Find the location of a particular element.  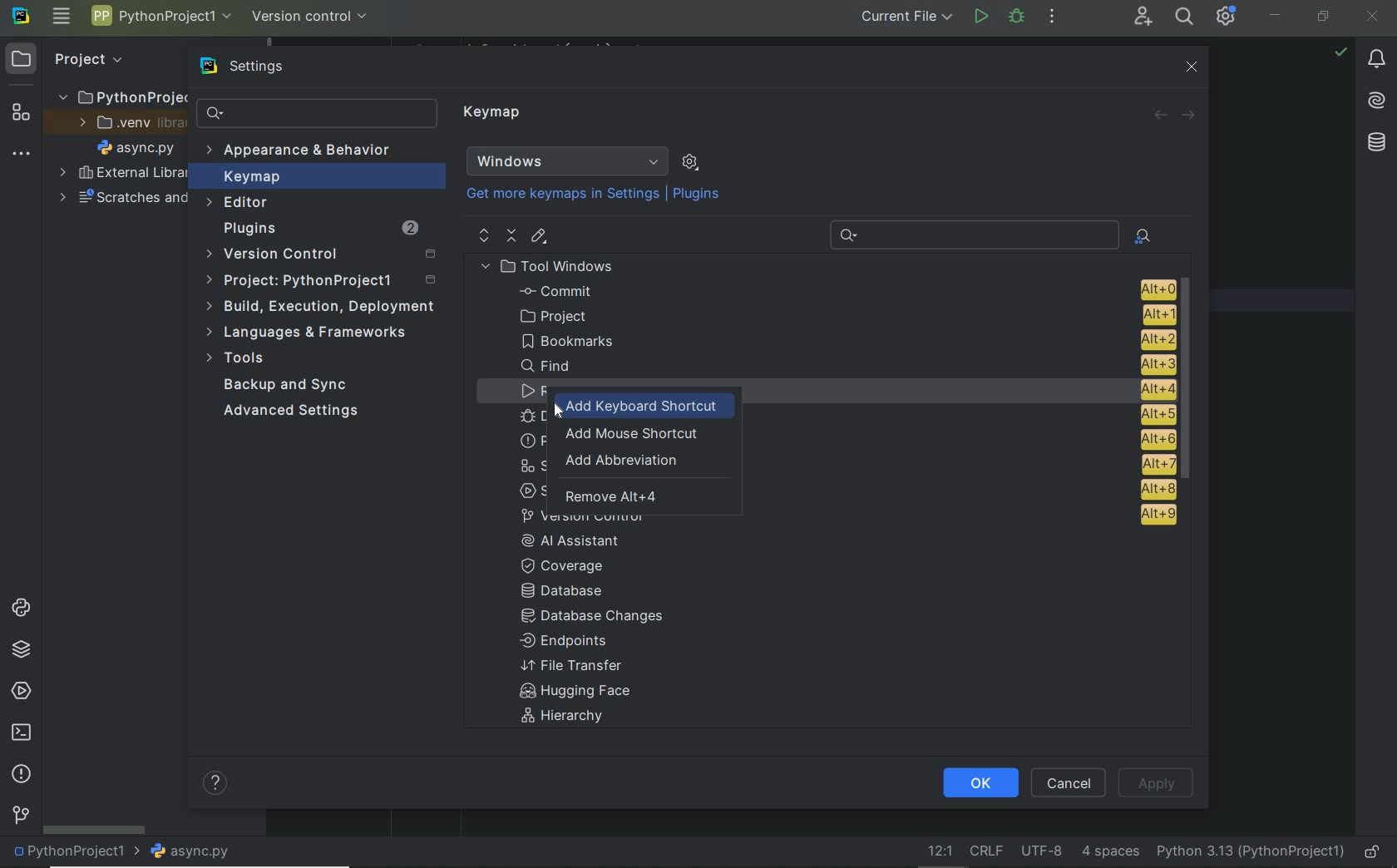

Project is located at coordinates (324, 281).